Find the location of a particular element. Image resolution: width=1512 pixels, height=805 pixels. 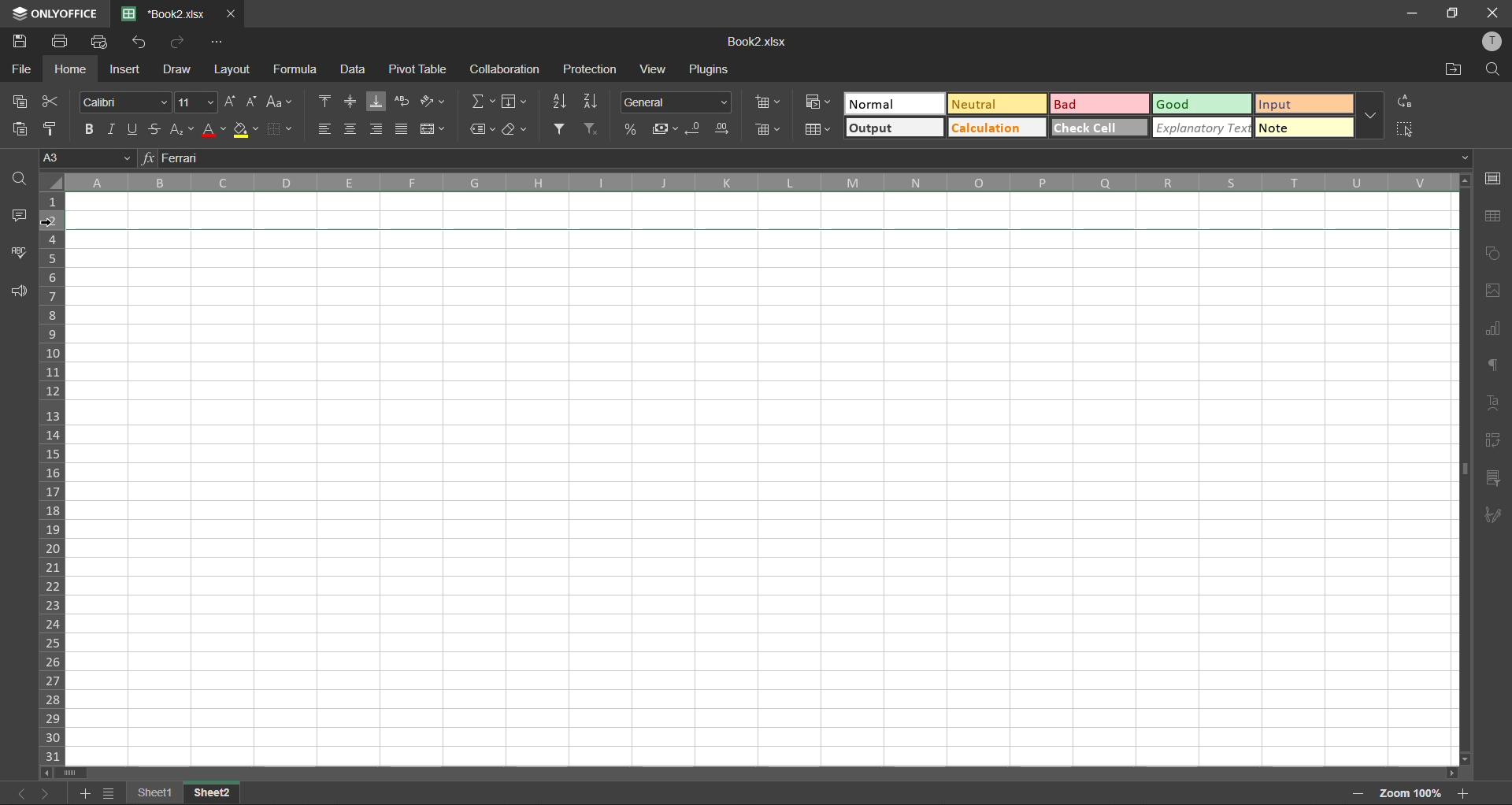

align top is located at coordinates (328, 101).